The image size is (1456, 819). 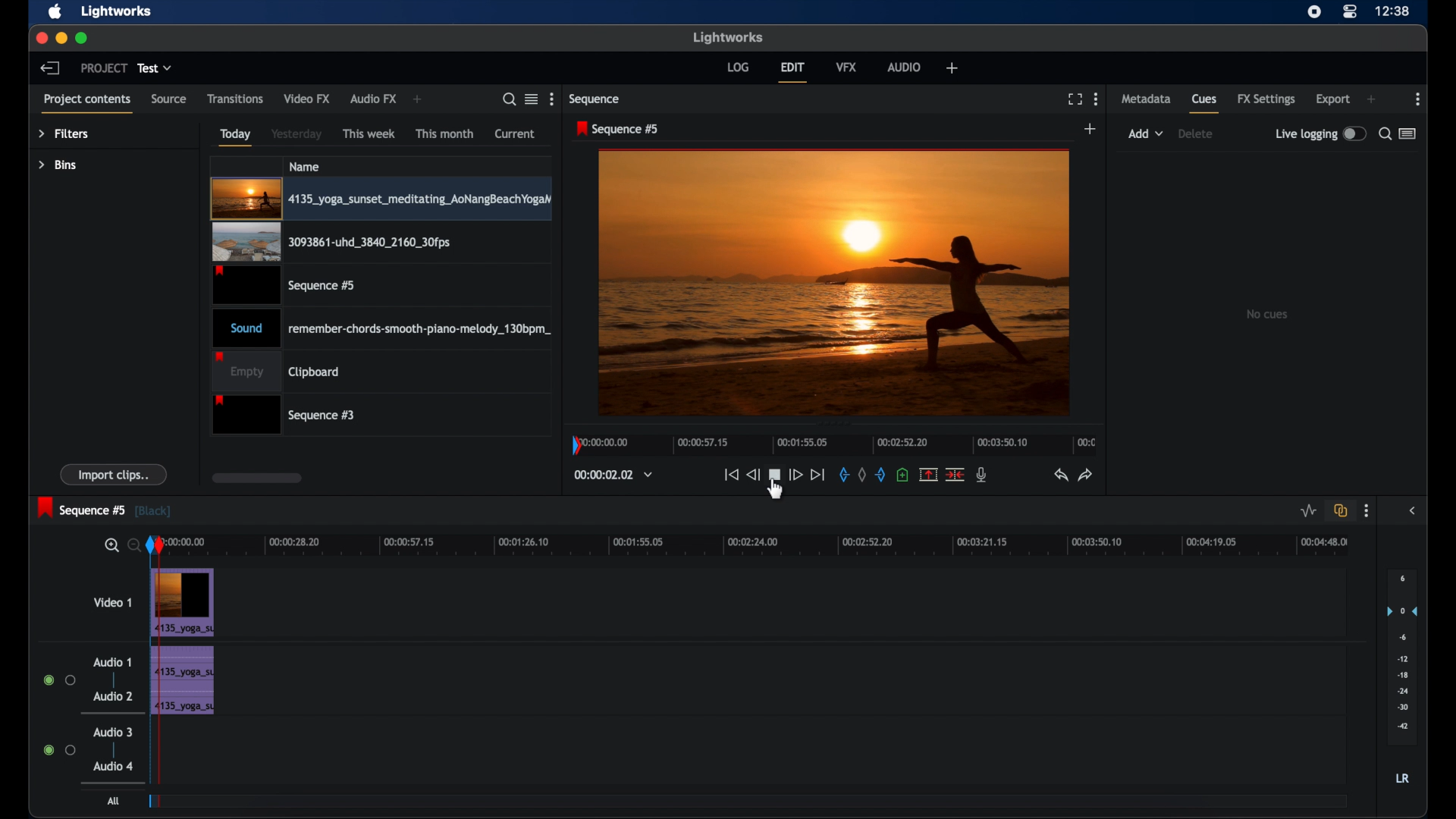 I want to click on video clip, so click(x=381, y=199).